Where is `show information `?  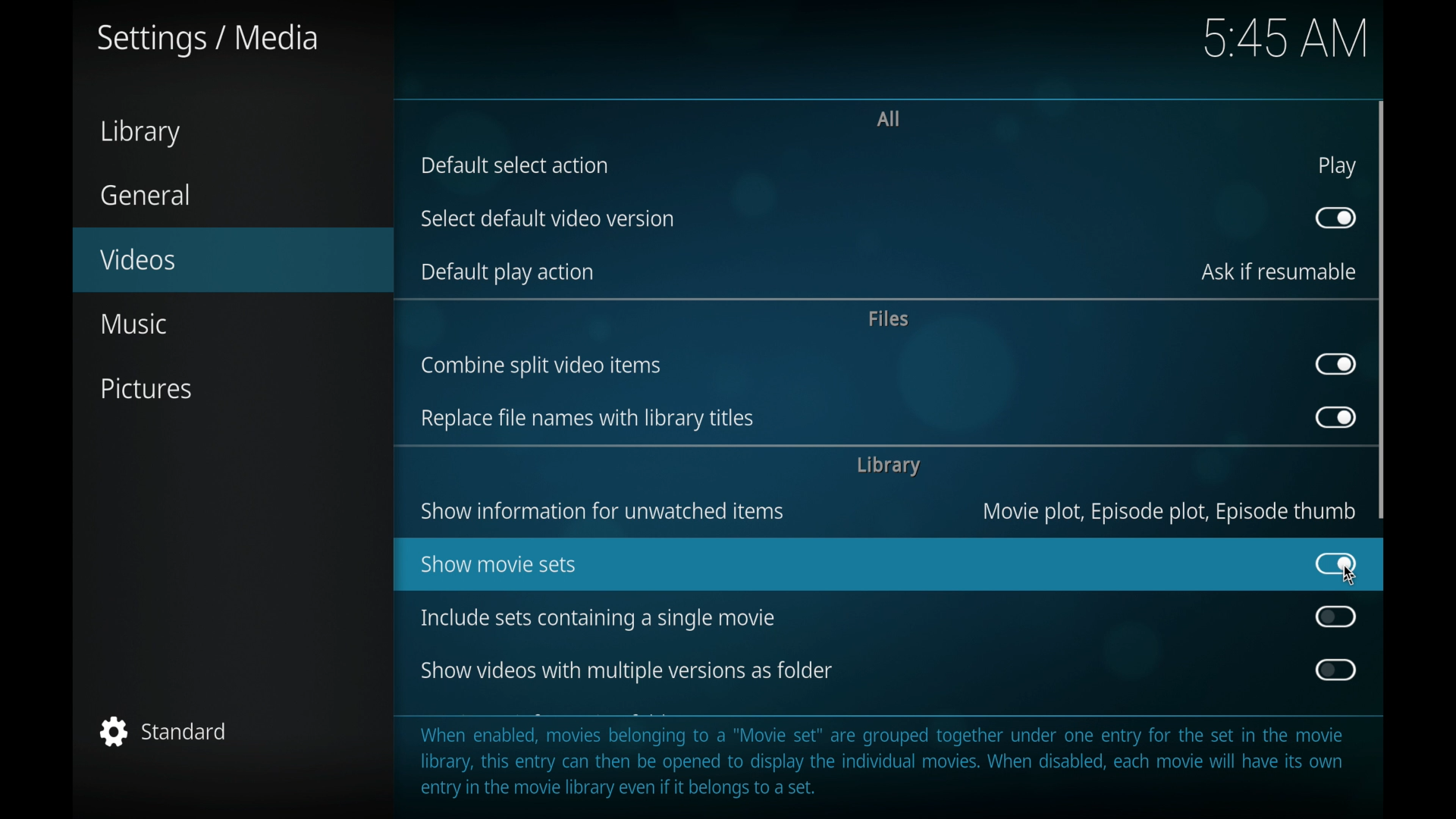 show information  is located at coordinates (602, 511).